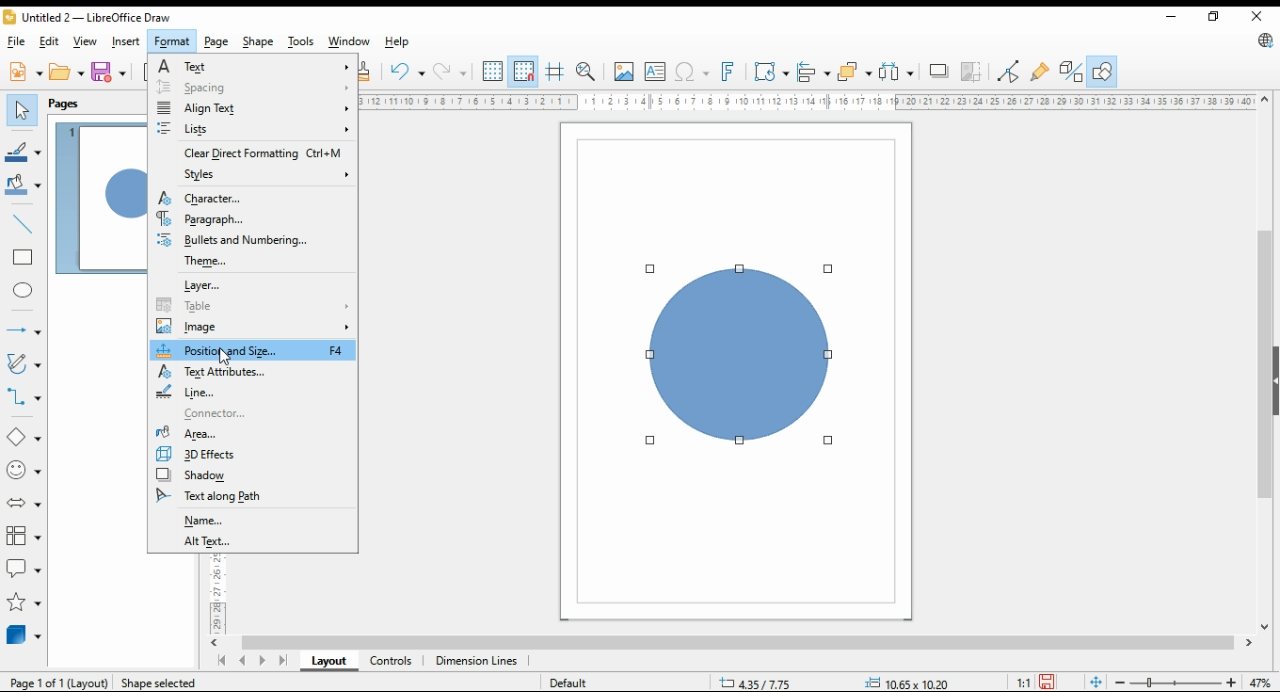  Describe the element at coordinates (224, 660) in the screenshot. I see `first page` at that location.